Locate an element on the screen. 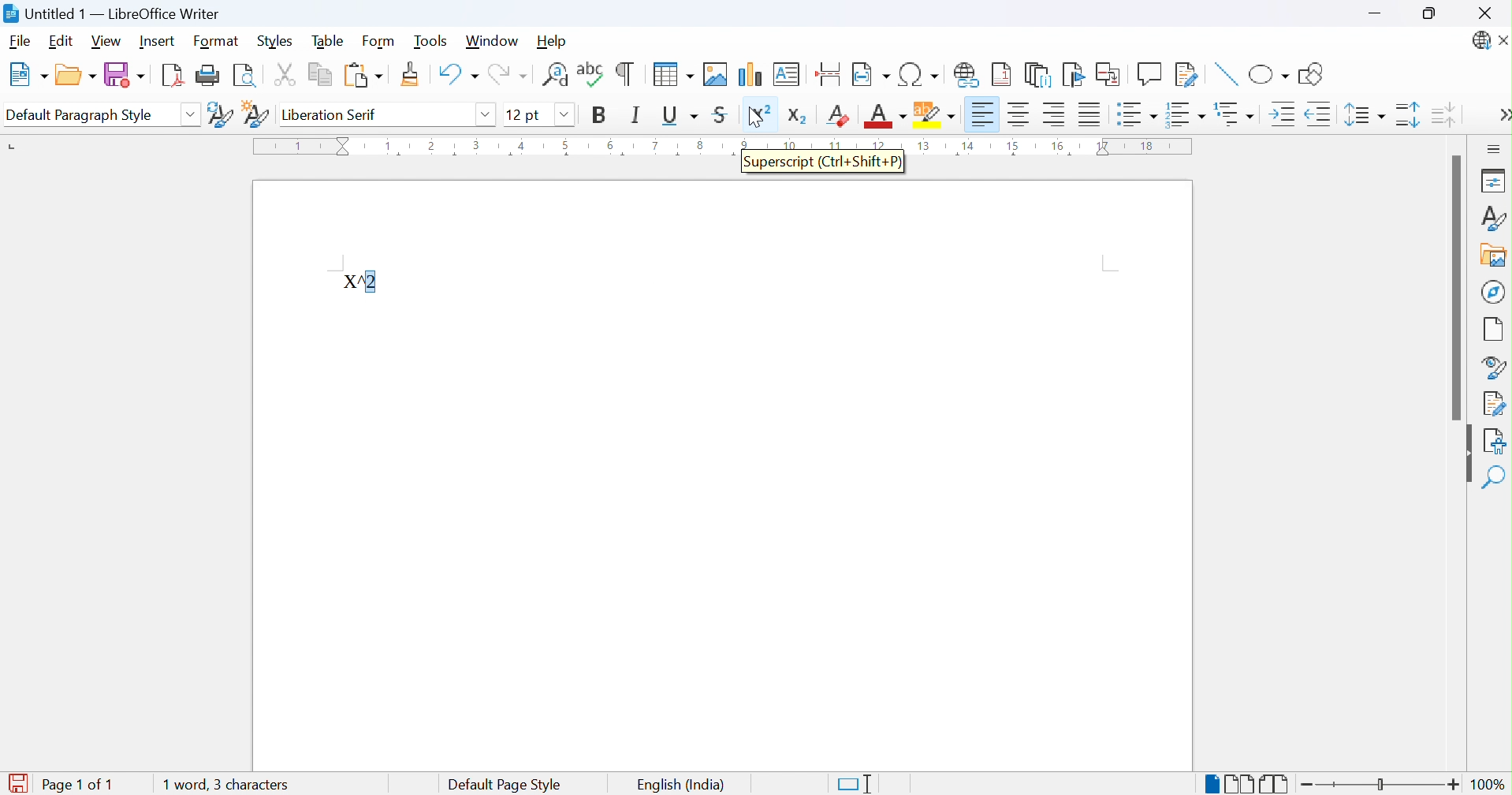 The image size is (1512, 795). Clone formatting is located at coordinates (412, 73).